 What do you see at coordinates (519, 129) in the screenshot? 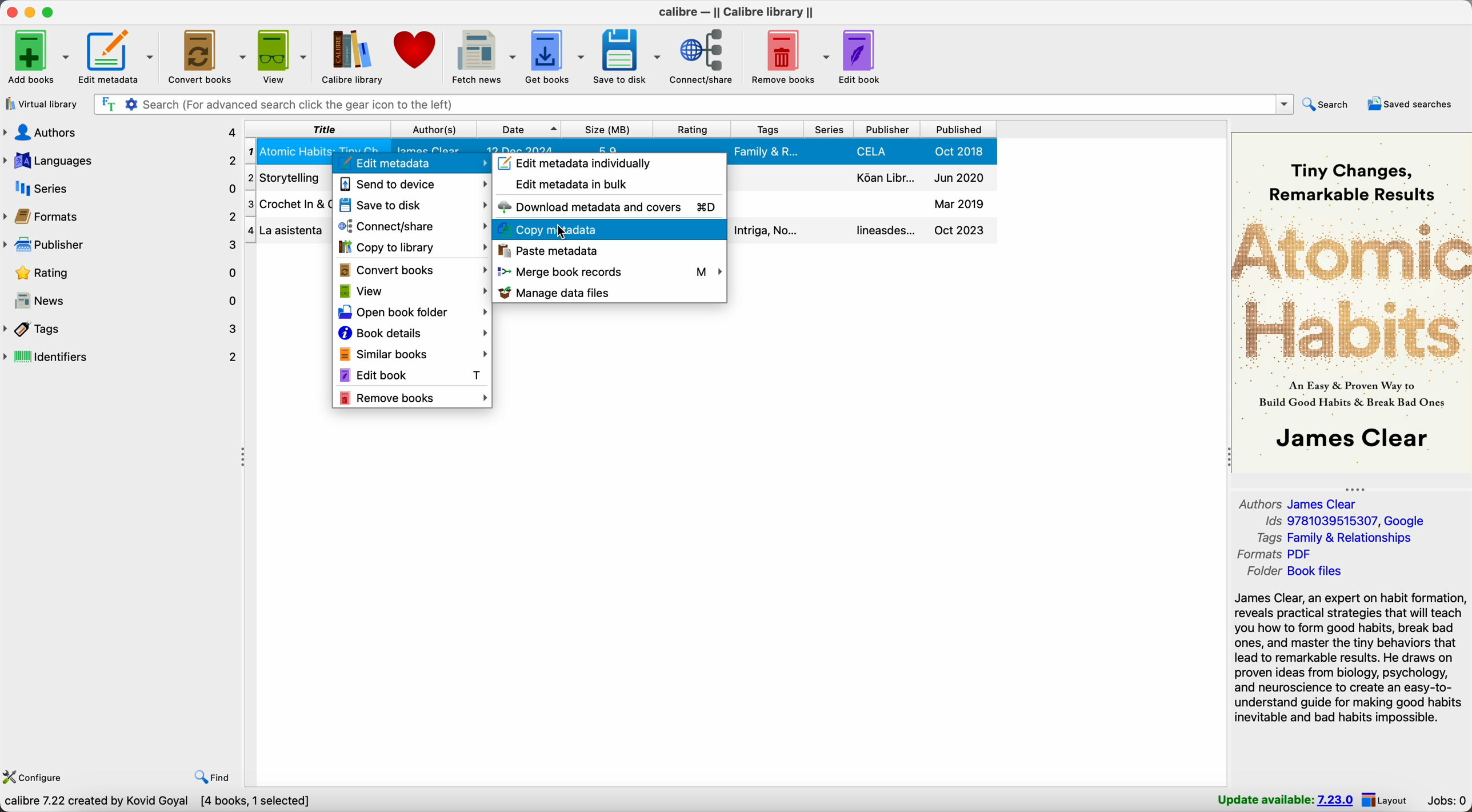
I see `date` at bounding box center [519, 129].